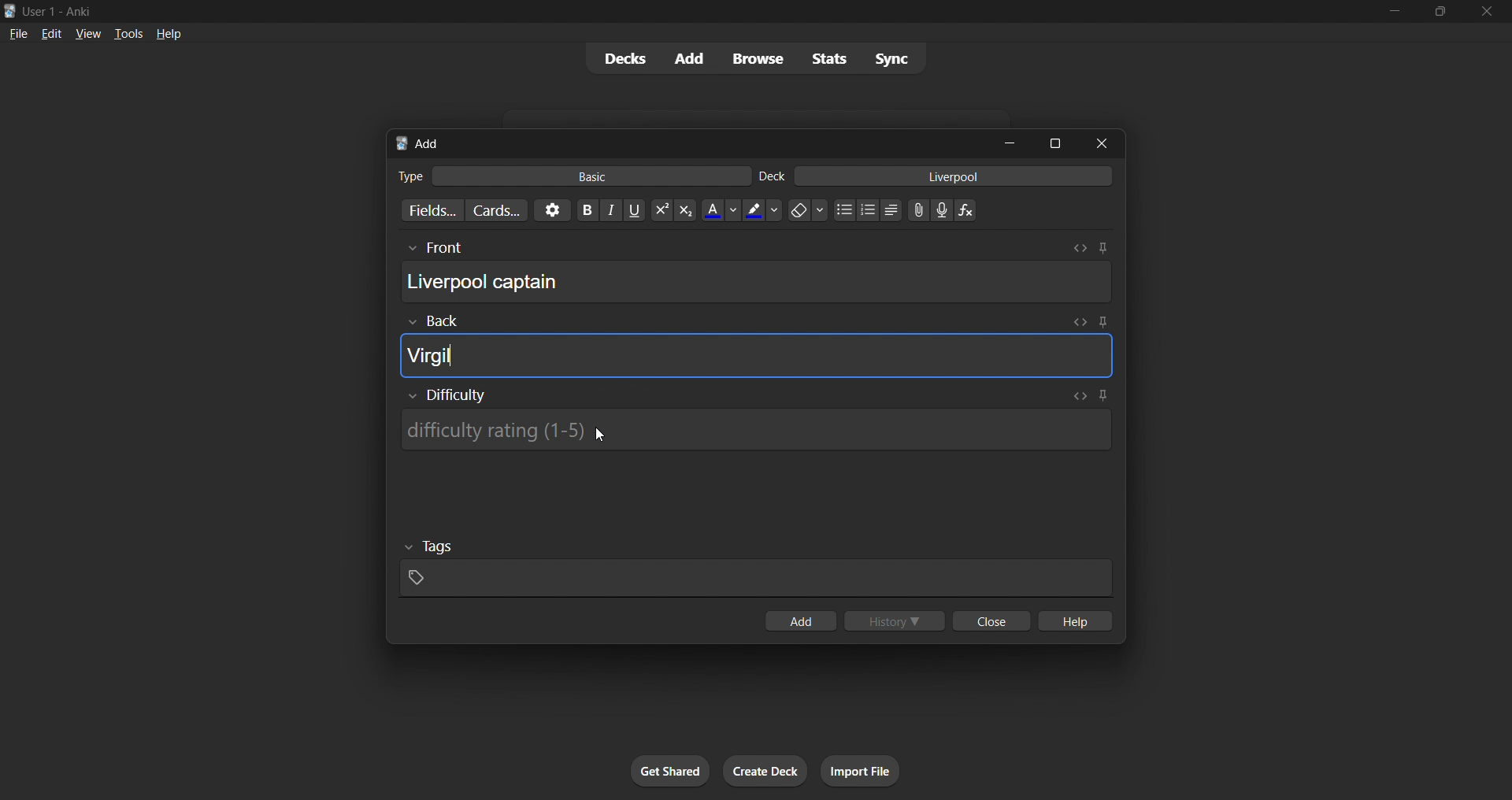  What do you see at coordinates (429, 210) in the screenshot?
I see `customize fields` at bounding box center [429, 210].